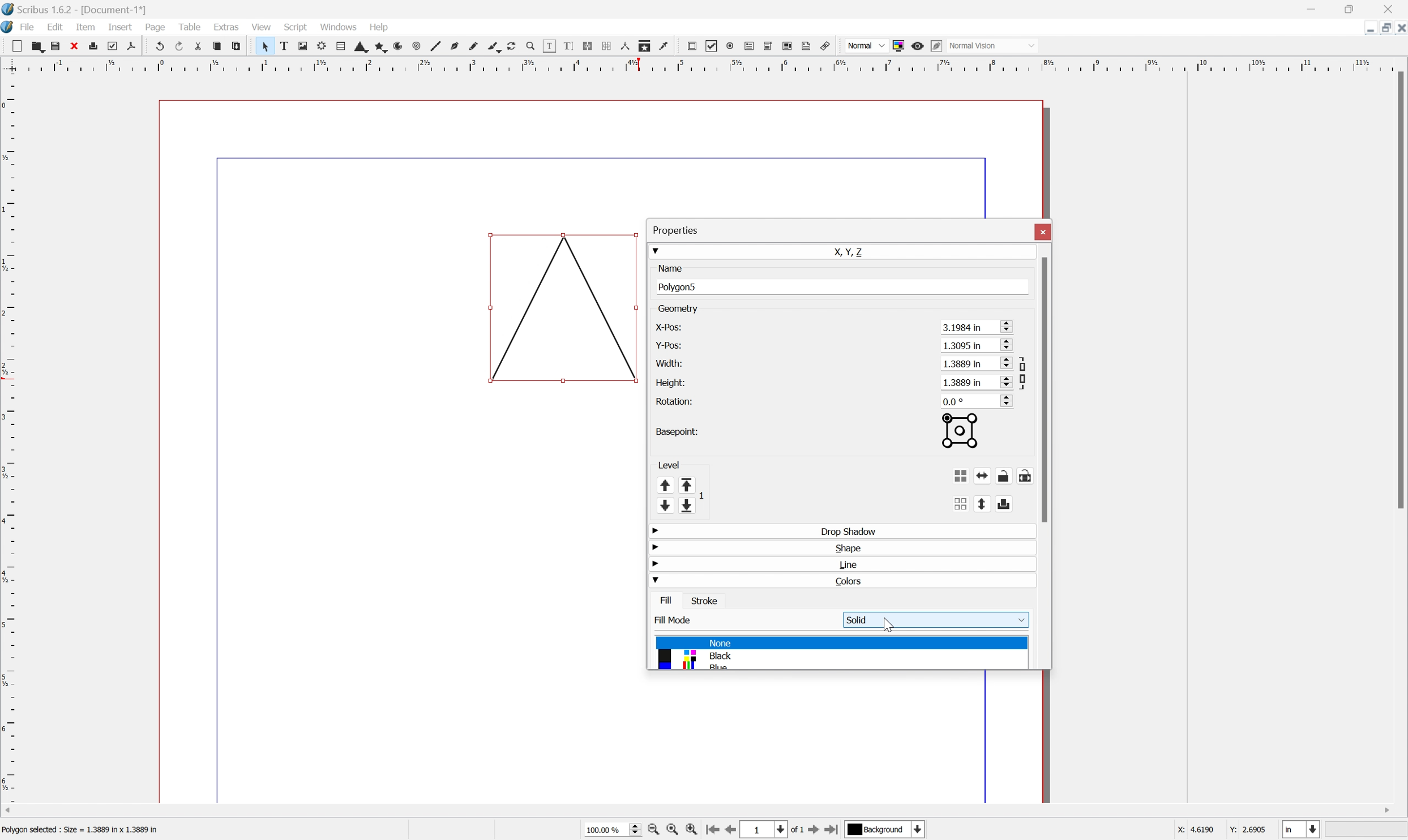 The width and height of the screenshot is (1408, 840). Describe the element at coordinates (1020, 474) in the screenshot. I see `Lock or unlock the object` at that location.